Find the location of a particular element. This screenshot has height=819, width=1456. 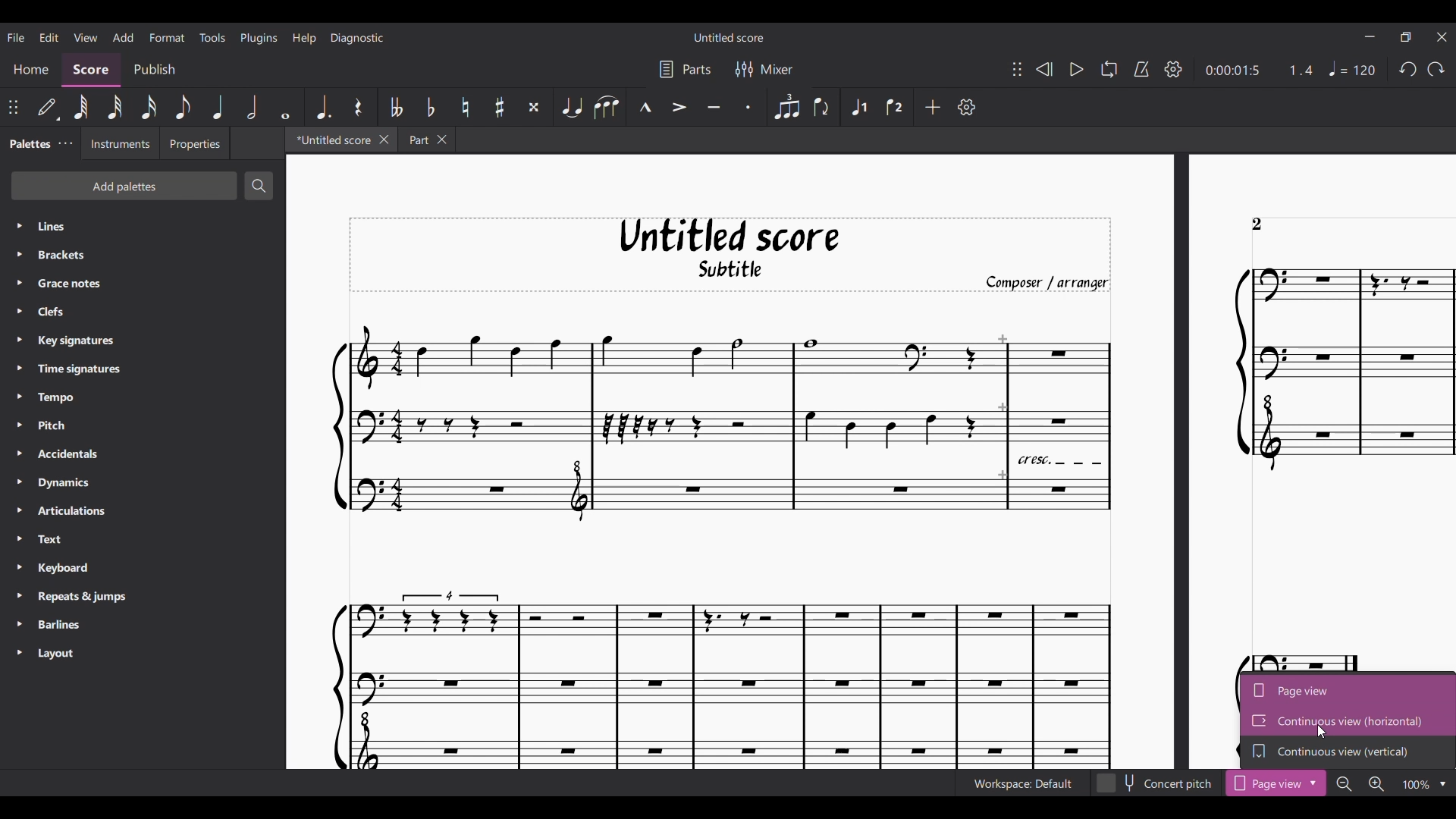

Toggle double flat is located at coordinates (394, 106).